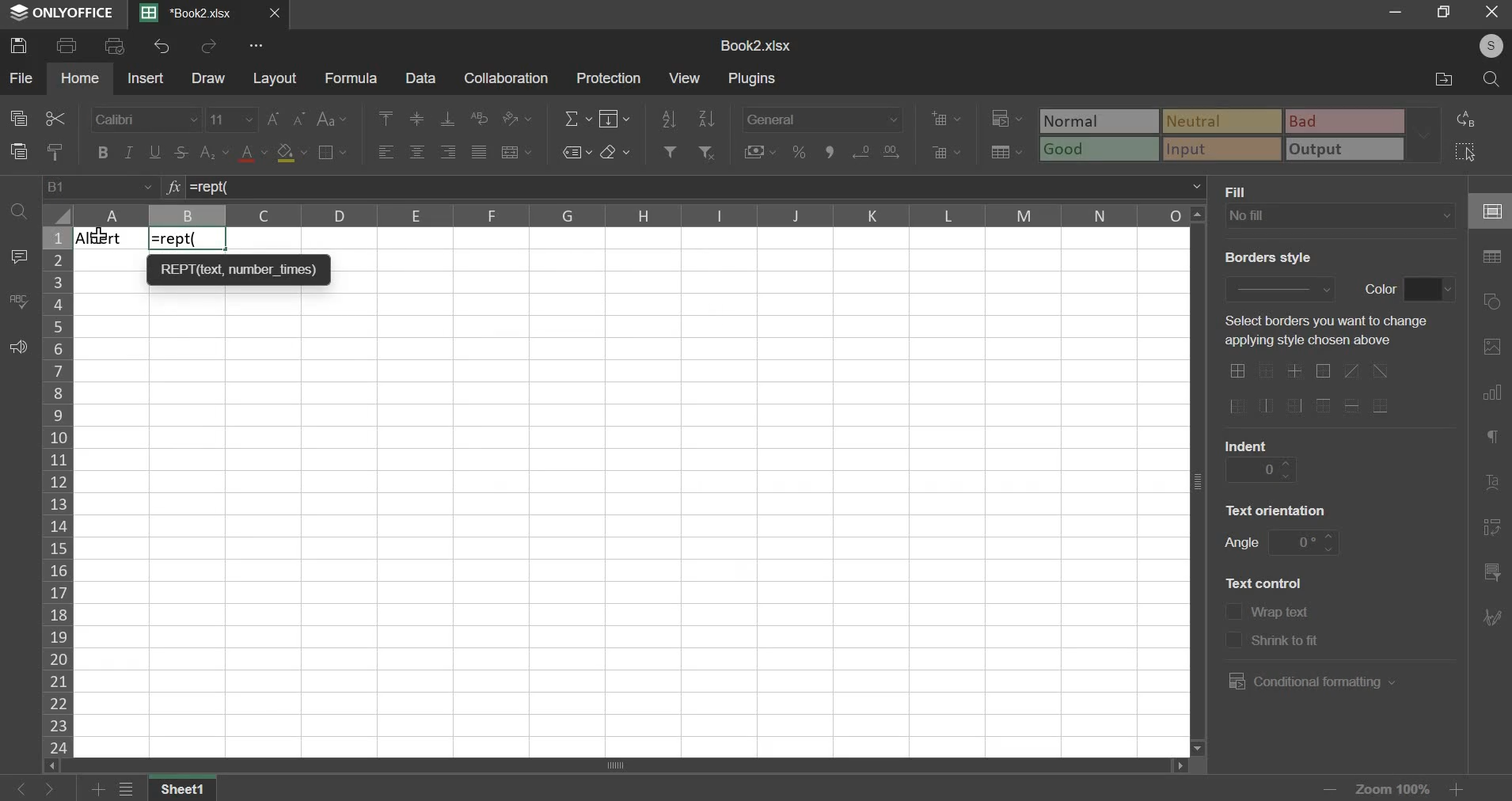  I want to click on Sheet name, so click(184, 788).